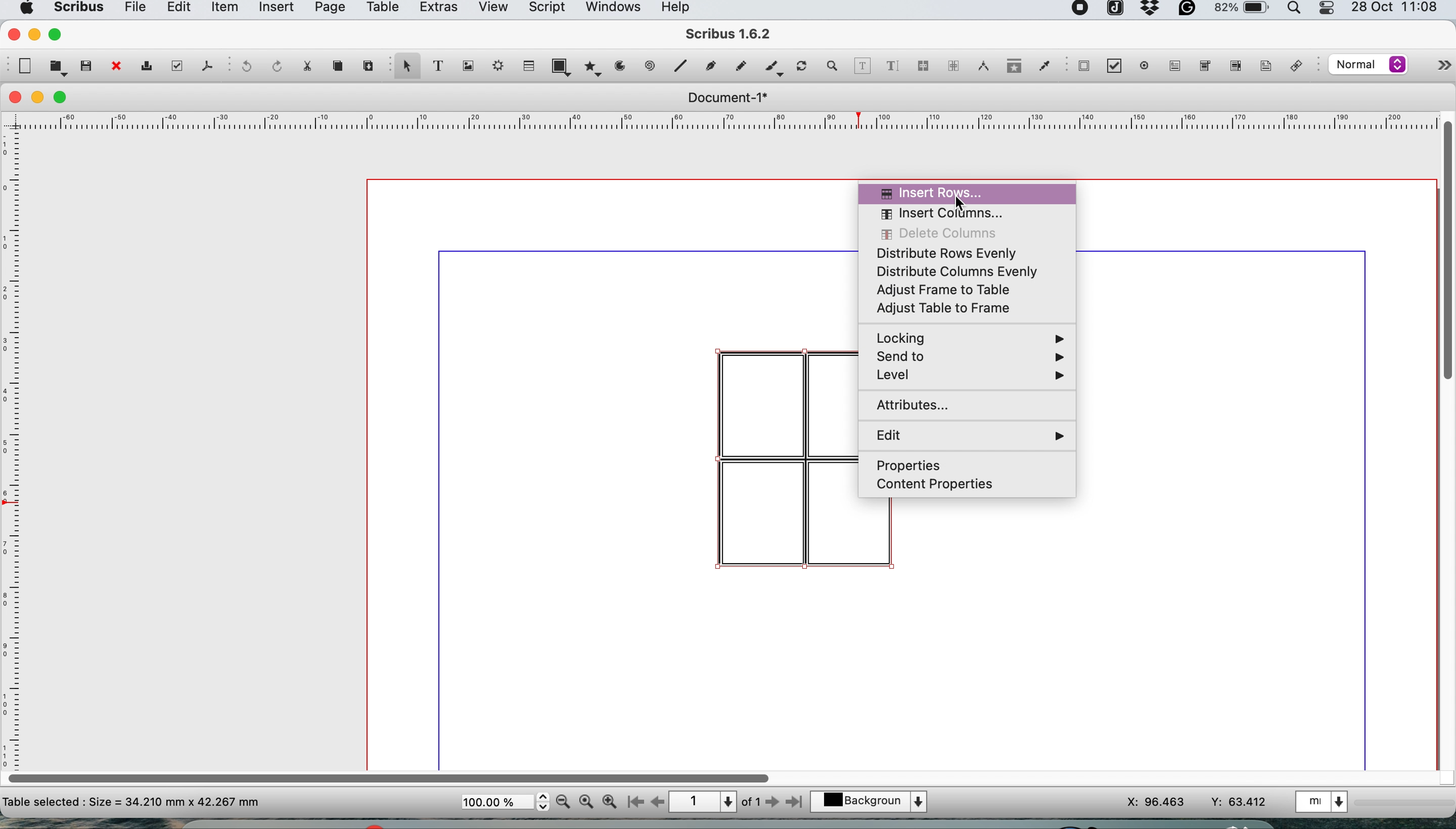 The width and height of the screenshot is (1456, 829). What do you see at coordinates (973, 338) in the screenshot?
I see `locking` at bounding box center [973, 338].